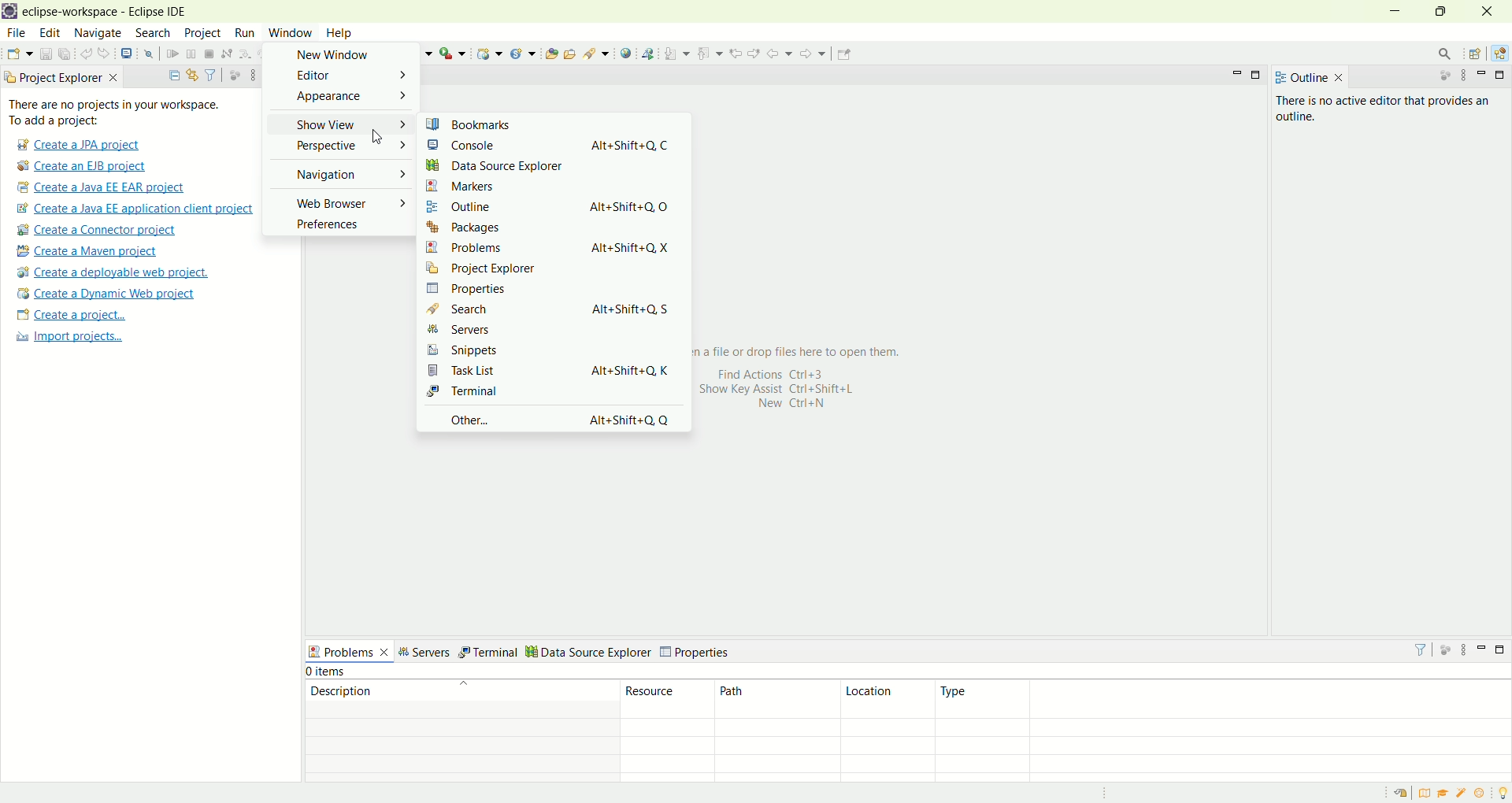 This screenshot has width=1512, height=803. What do you see at coordinates (343, 125) in the screenshot?
I see `show view` at bounding box center [343, 125].